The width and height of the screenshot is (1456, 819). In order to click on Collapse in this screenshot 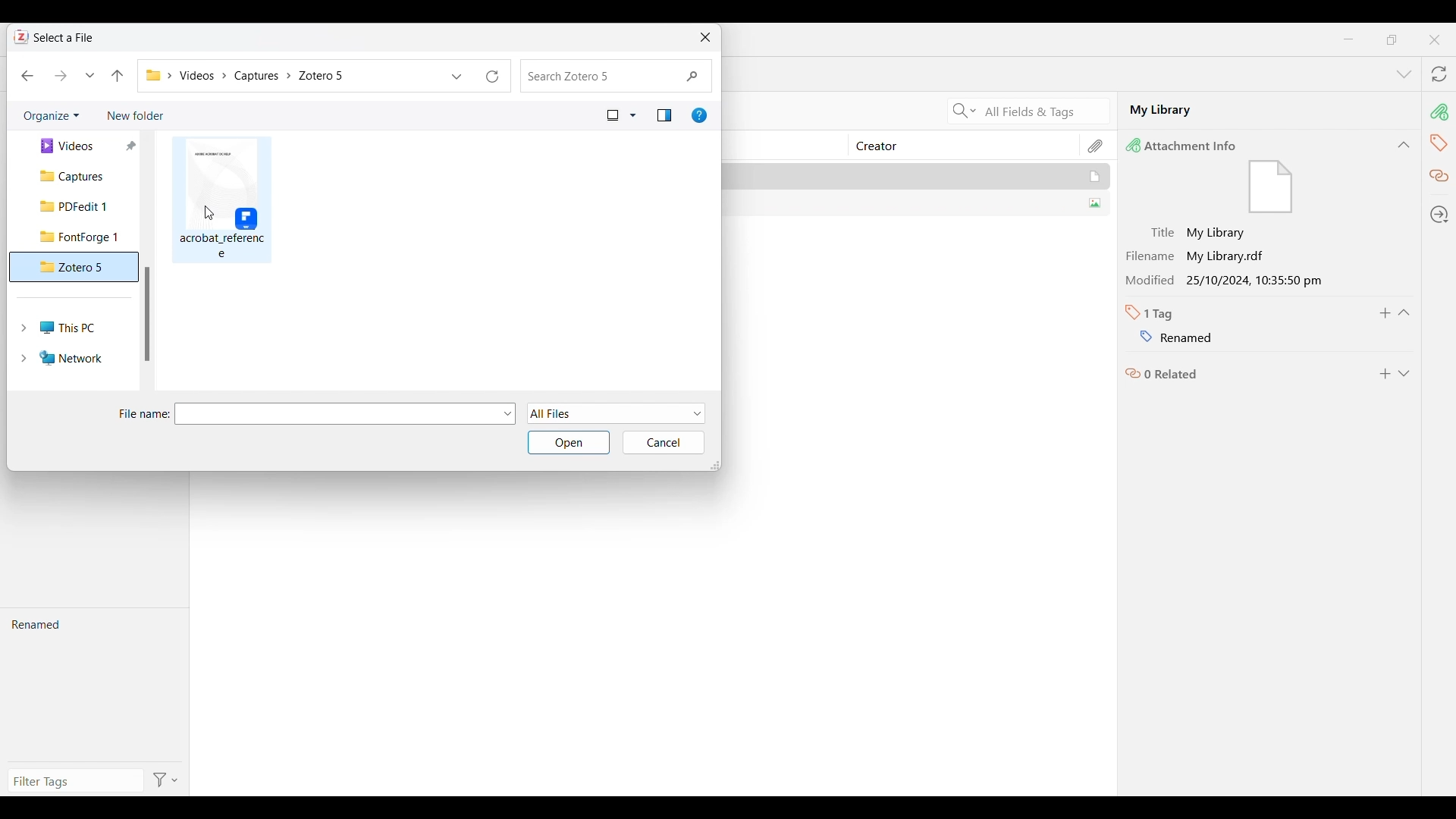, I will do `click(1404, 145)`.